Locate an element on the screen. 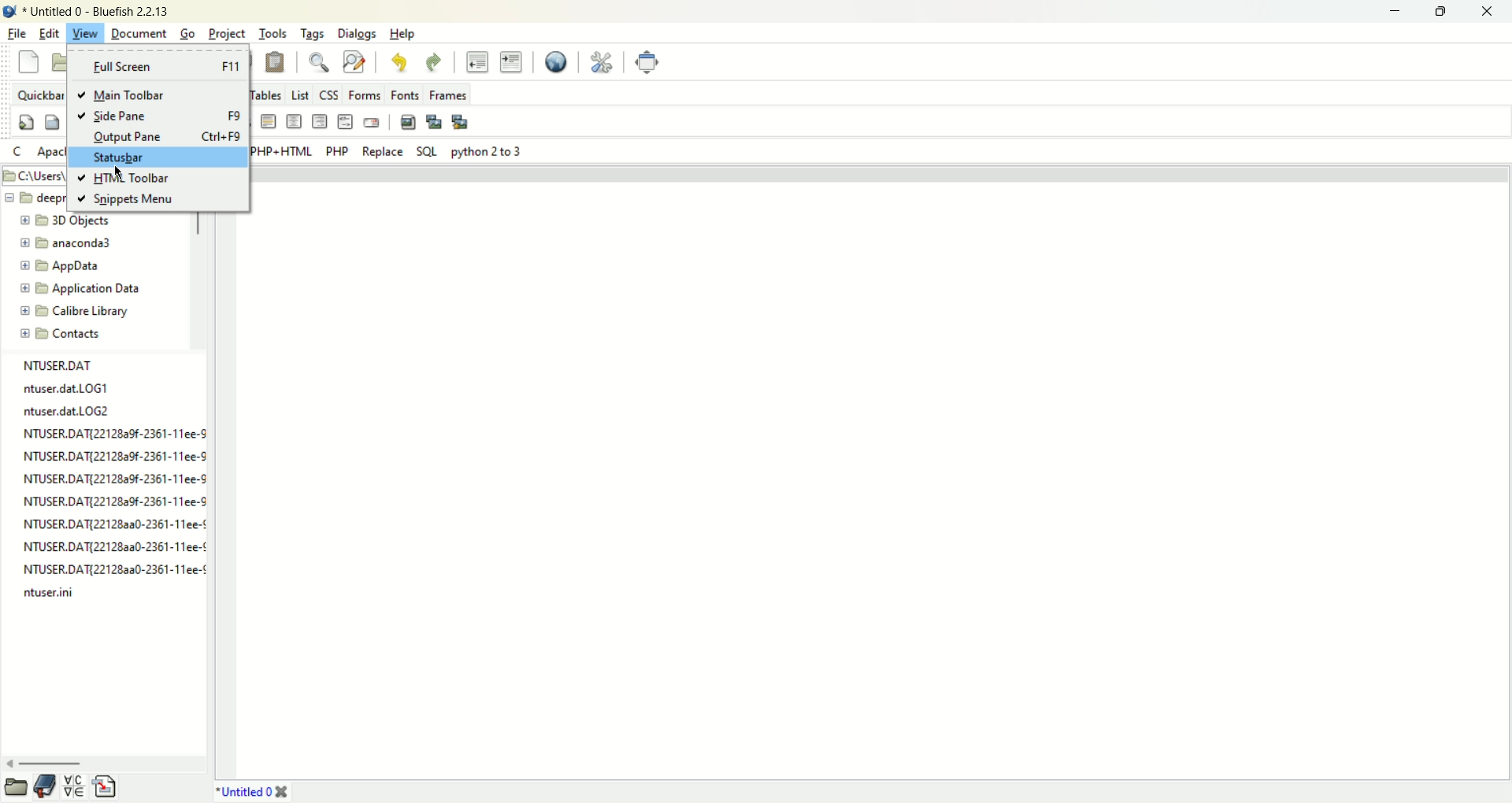  maximize is located at coordinates (1445, 13).